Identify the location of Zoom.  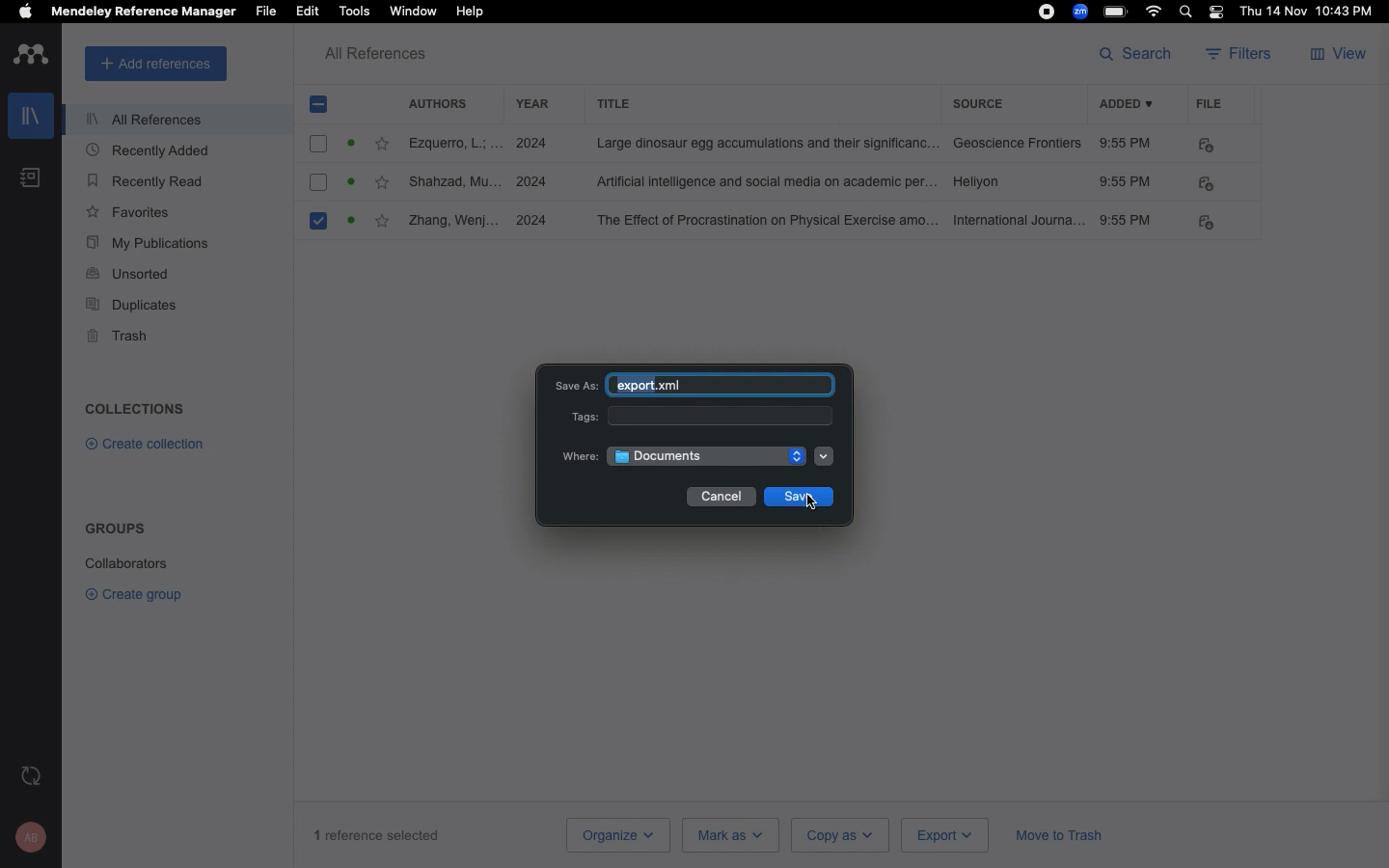
(1081, 12).